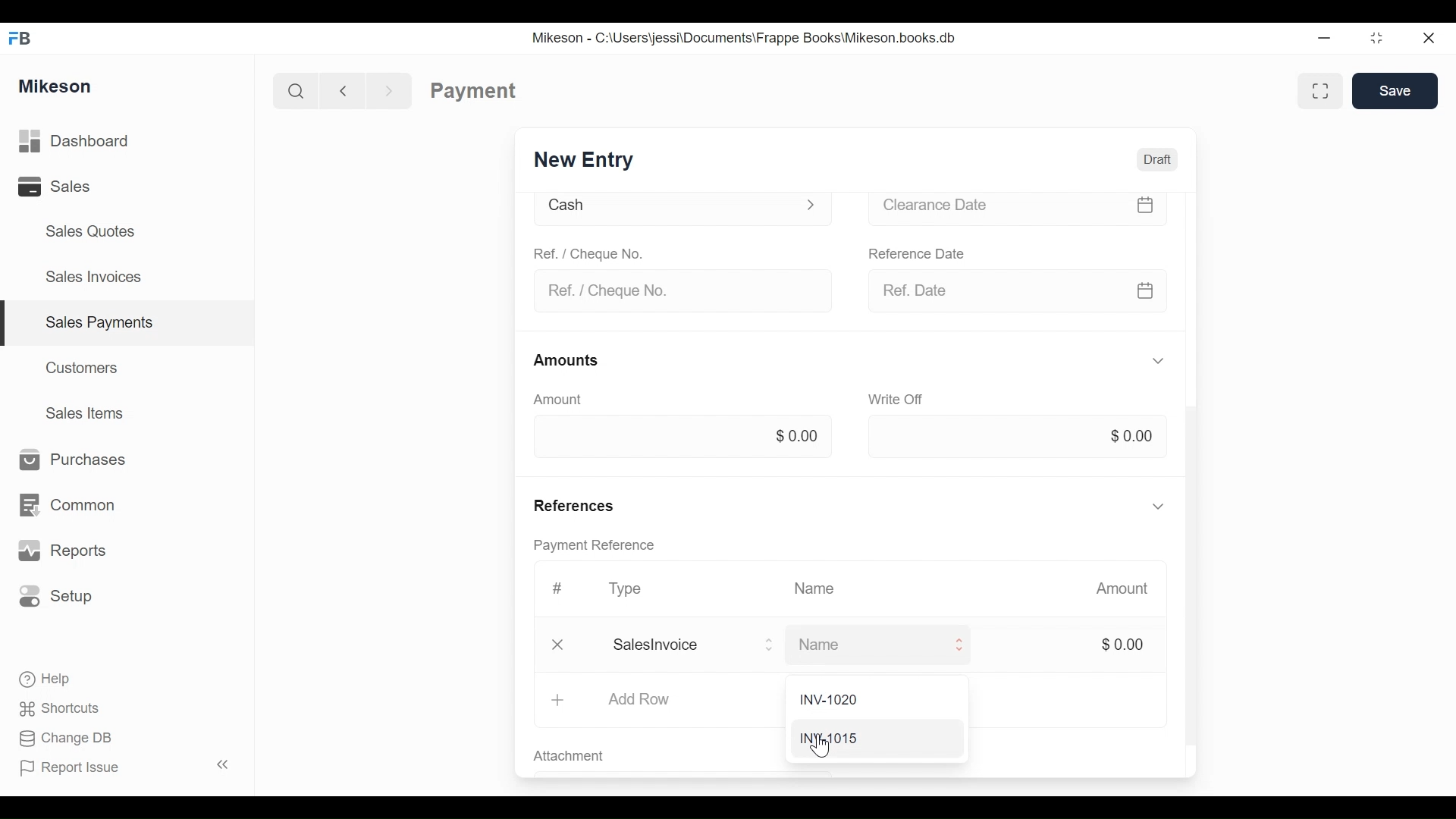  Describe the element at coordinates (70, 739) in the screenshot. I see `Change DB` at that location.